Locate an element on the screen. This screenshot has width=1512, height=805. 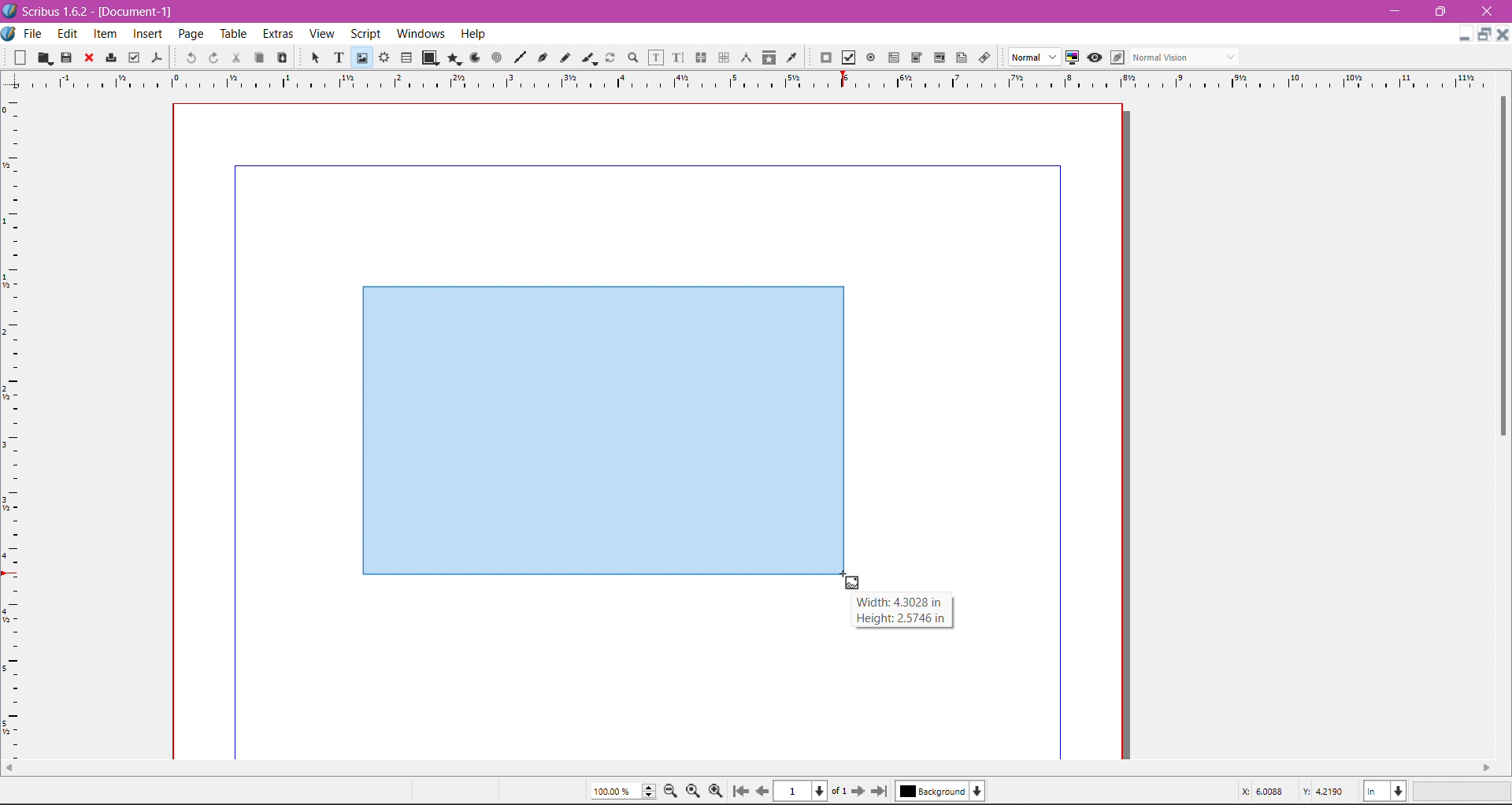
Go to the first page is located at coordinates (743, 791).